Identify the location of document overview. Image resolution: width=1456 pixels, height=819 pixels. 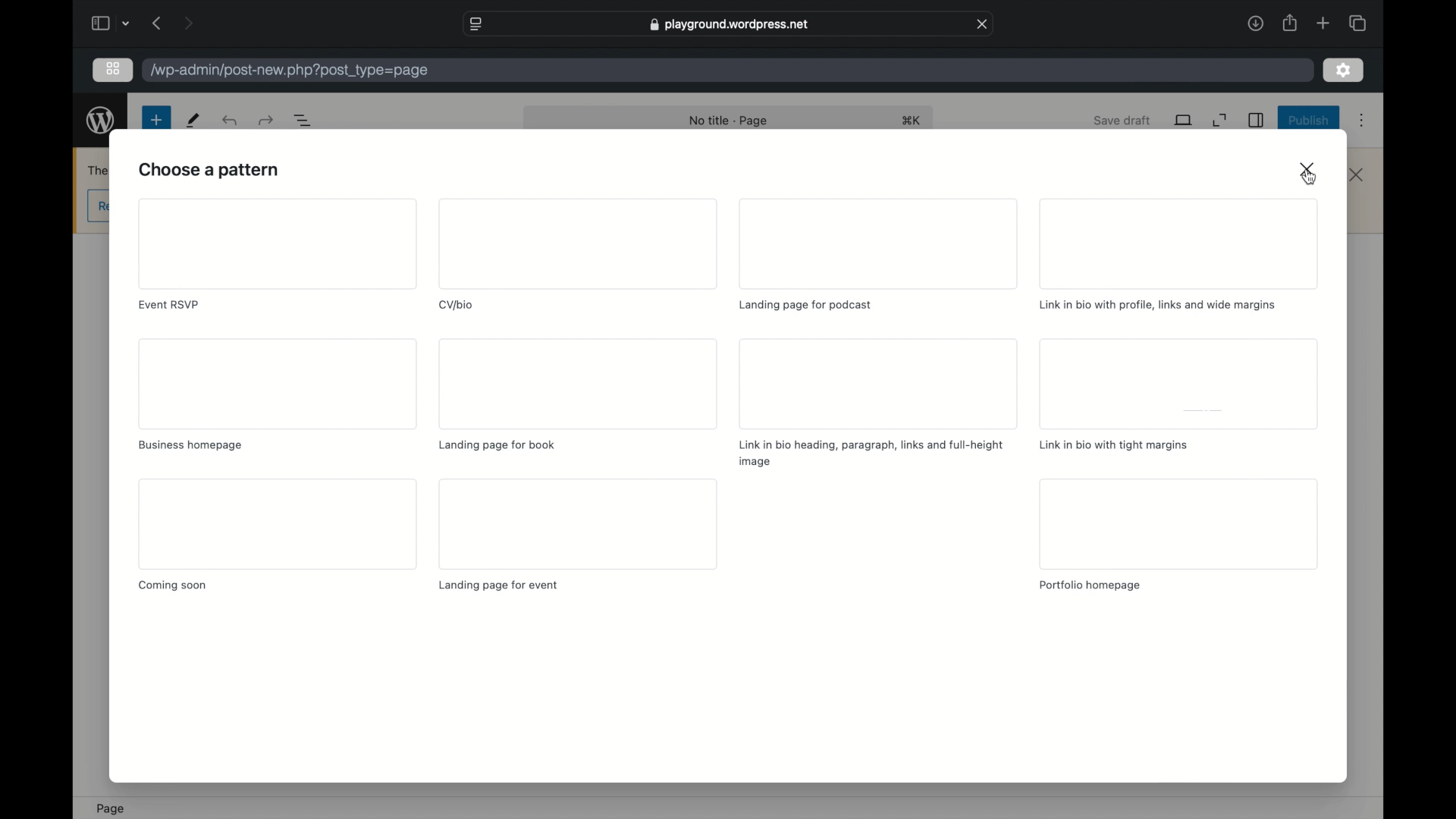
(302, 119).